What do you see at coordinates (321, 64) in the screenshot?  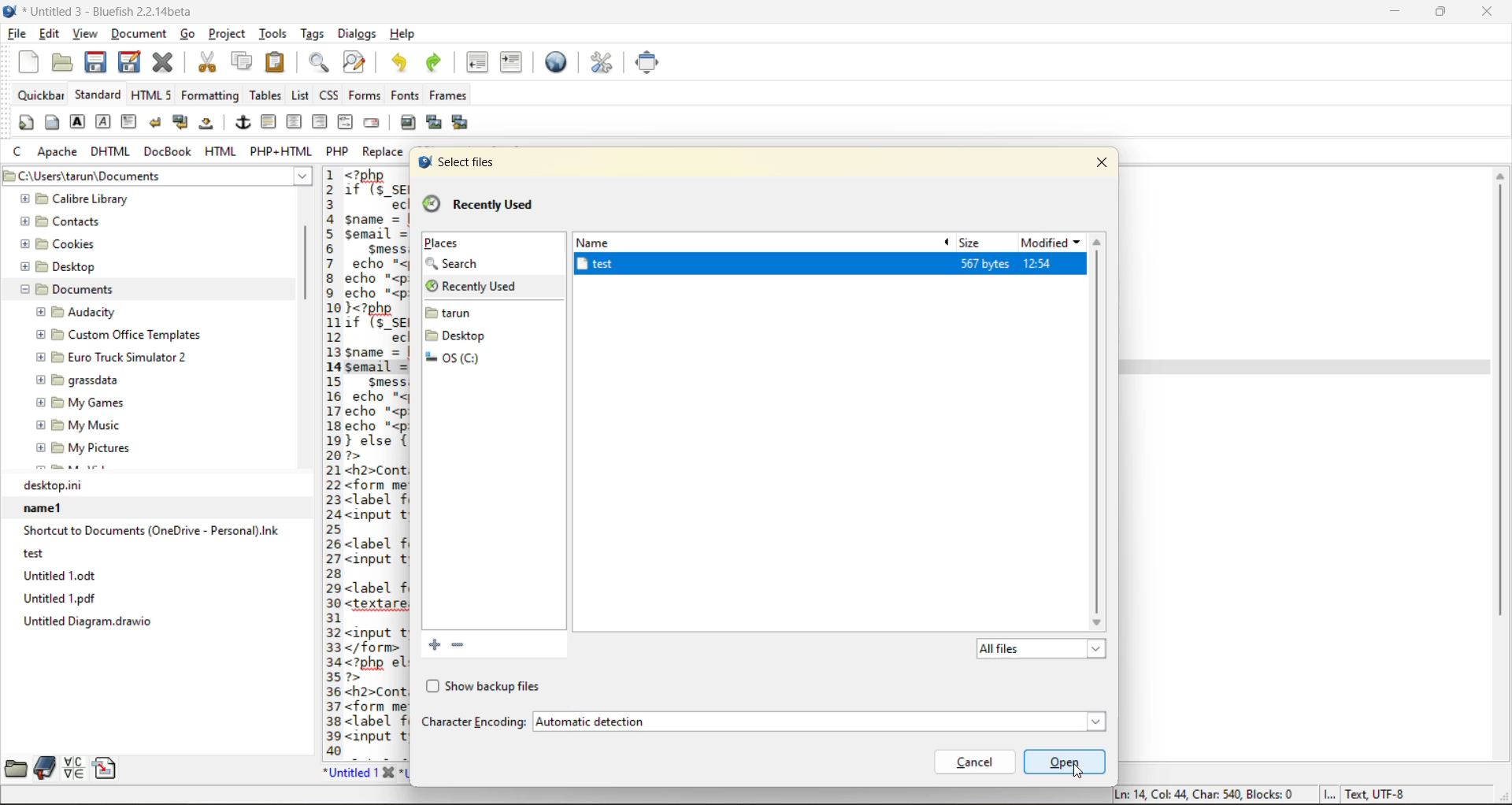 I see `find bar` at bounding box center [321, 64].